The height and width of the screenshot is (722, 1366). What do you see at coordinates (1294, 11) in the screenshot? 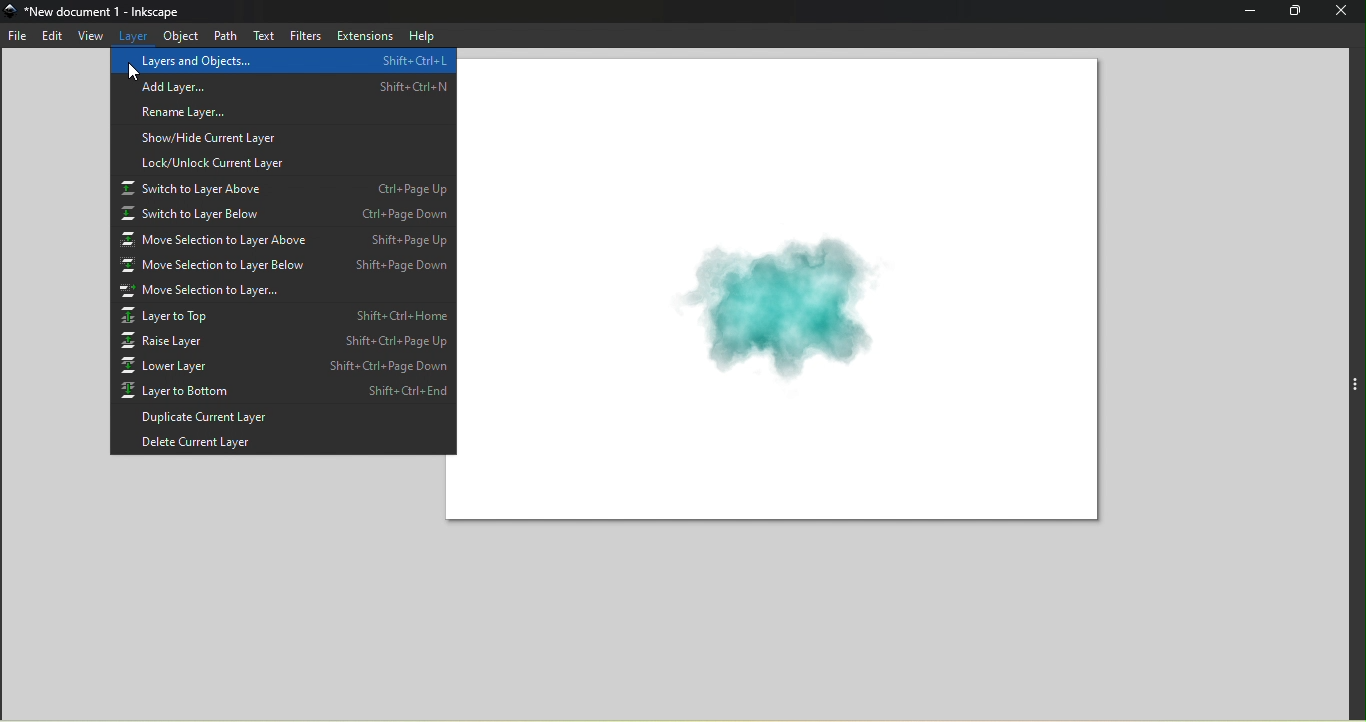
I see `Maximize` at bounding box center [1294, 11].